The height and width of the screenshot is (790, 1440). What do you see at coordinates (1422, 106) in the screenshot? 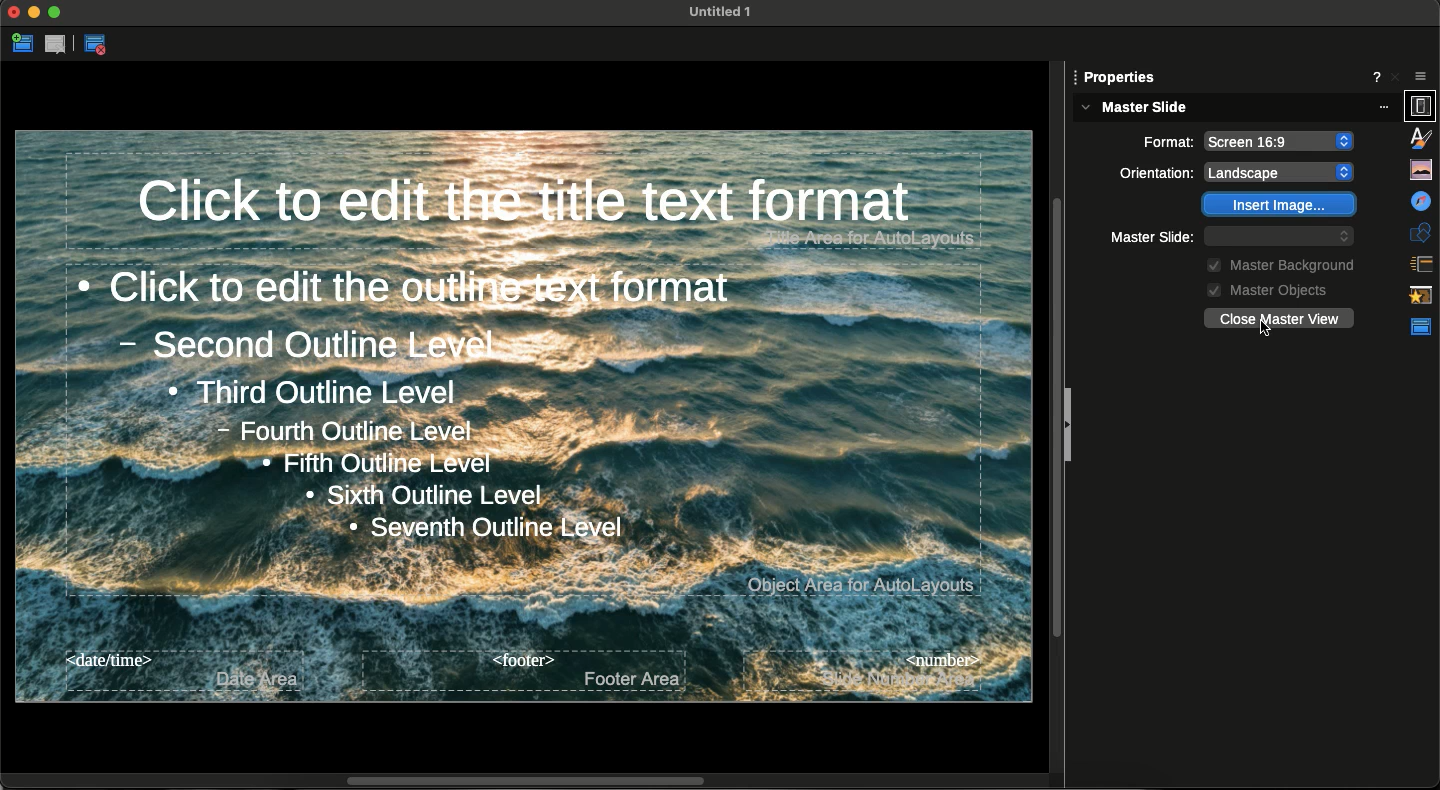
I see `Styles` at bounding box center [1422, 106].